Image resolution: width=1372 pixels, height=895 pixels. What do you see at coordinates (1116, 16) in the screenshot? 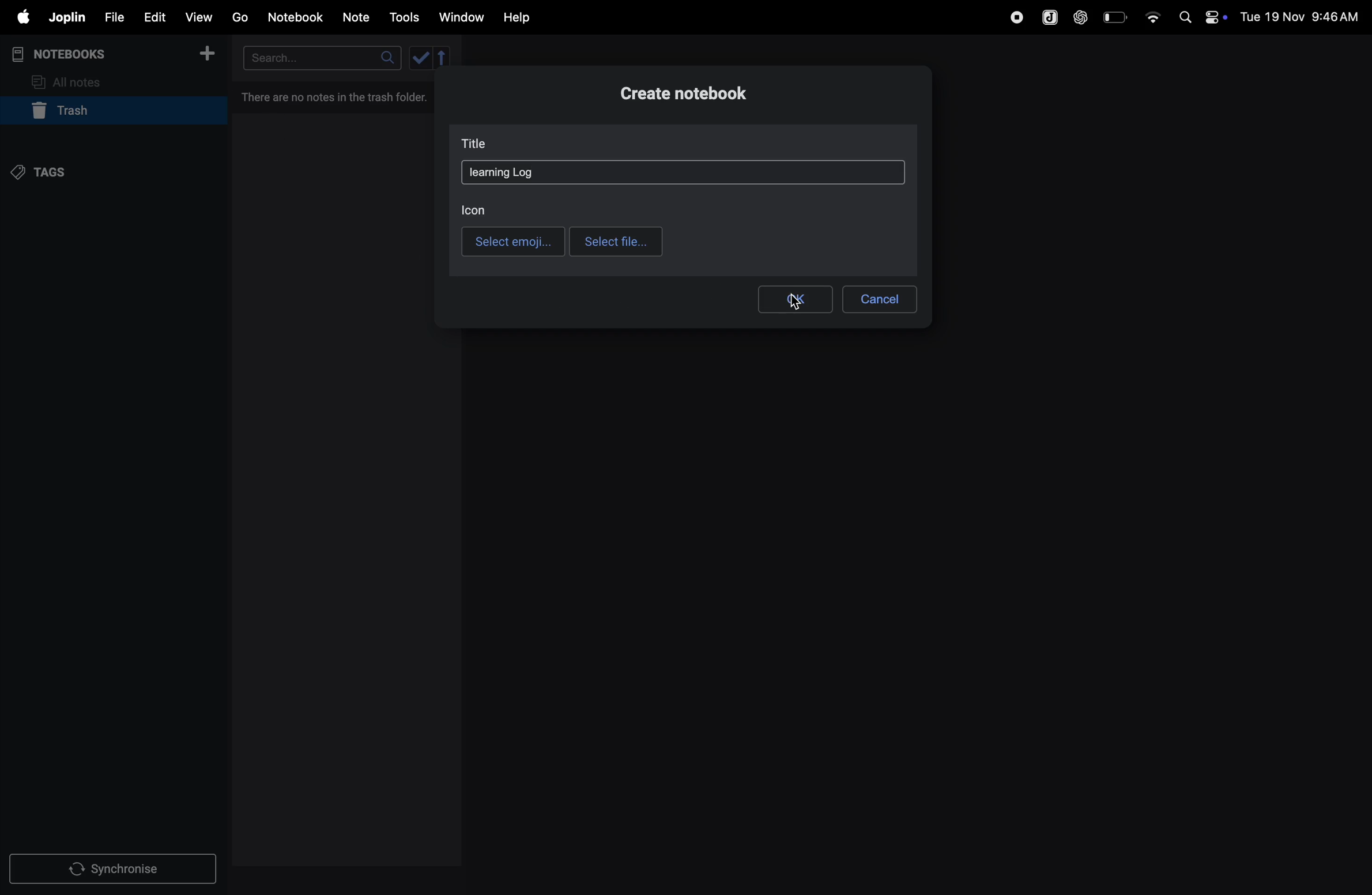
I see `battery` at bounding box center [1116, 16].